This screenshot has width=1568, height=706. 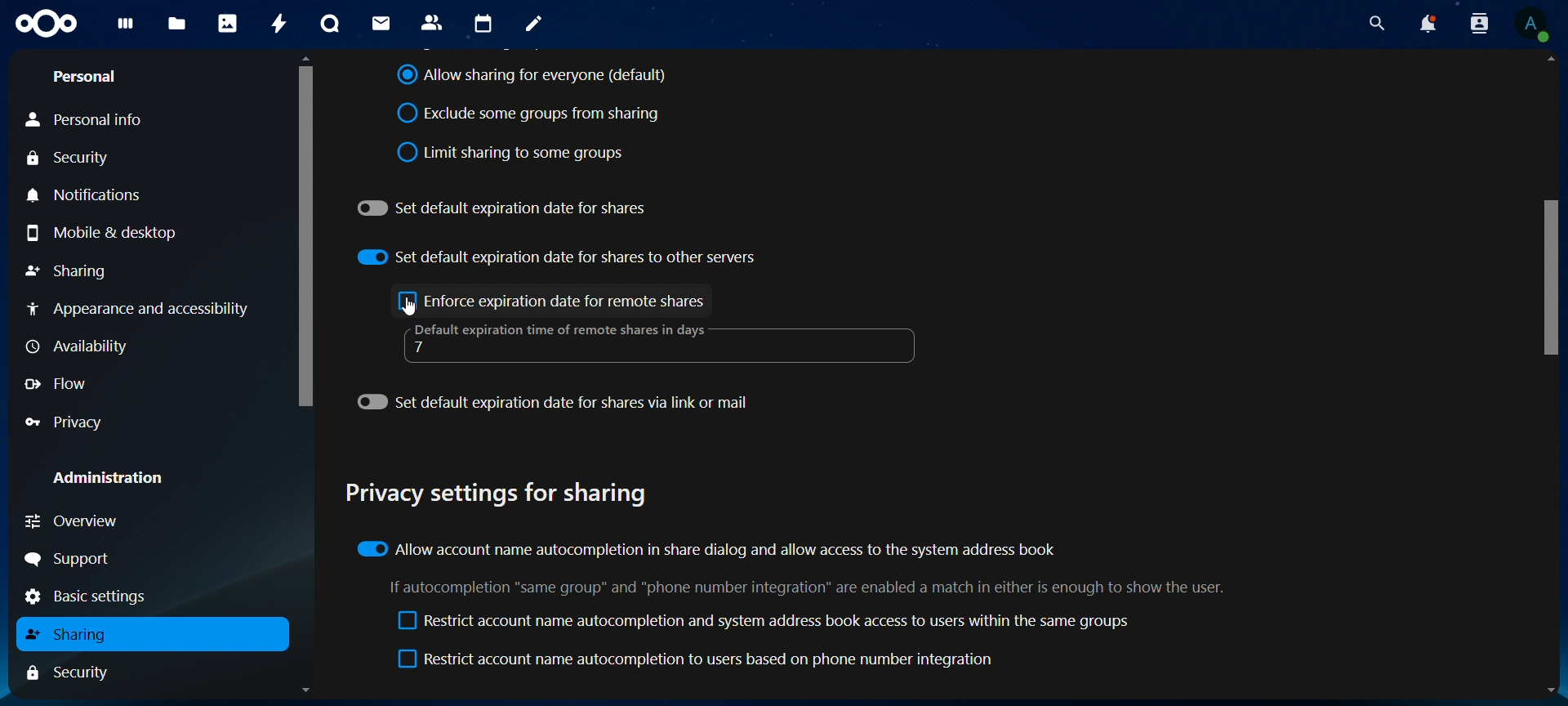 What do you see at coordinates (1373, 24) in the screenshot?
I see `search` at bounding box center [1373, 24].